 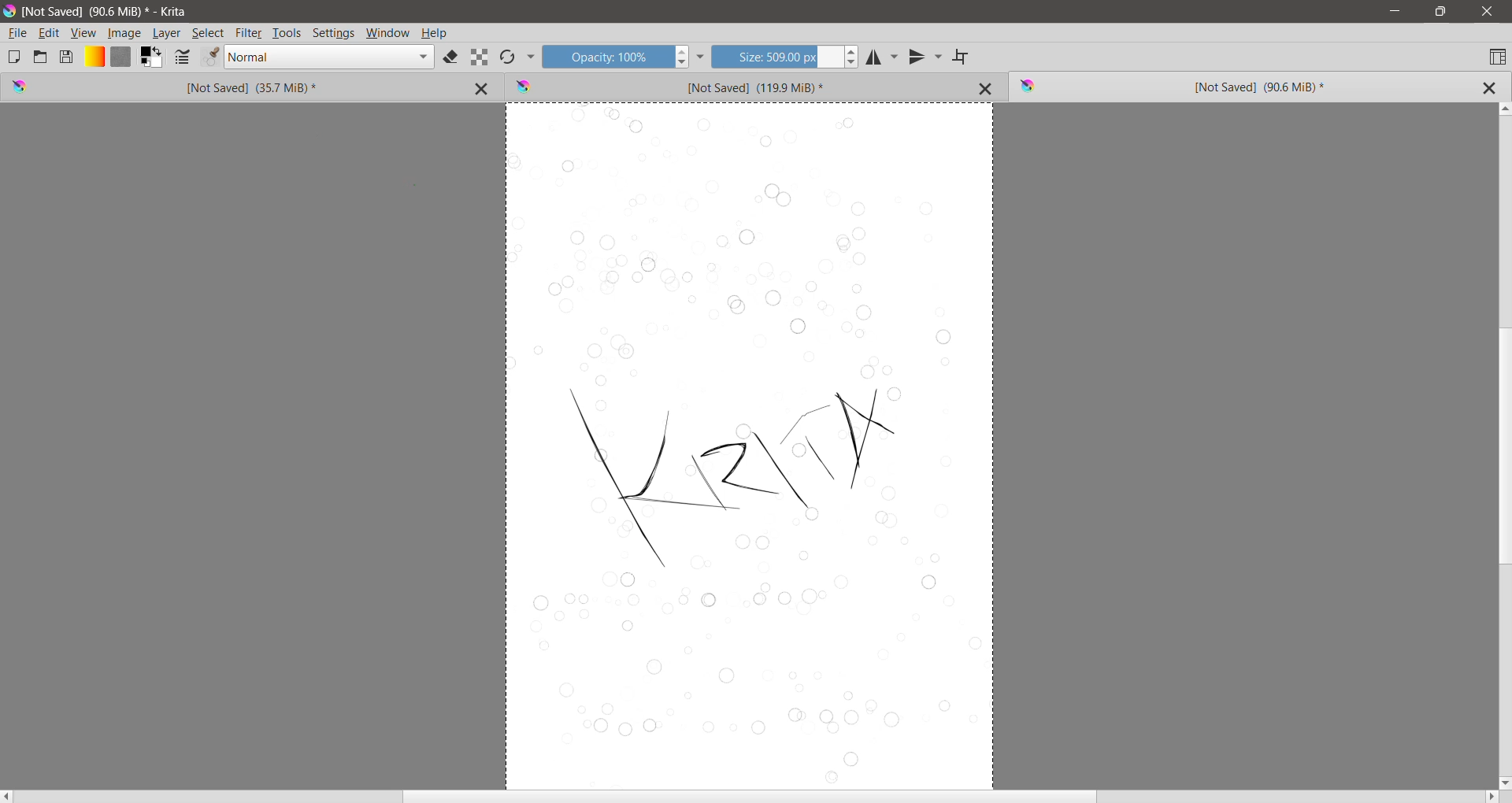 I want to click on Blending mode, so click(x=329, y=57).